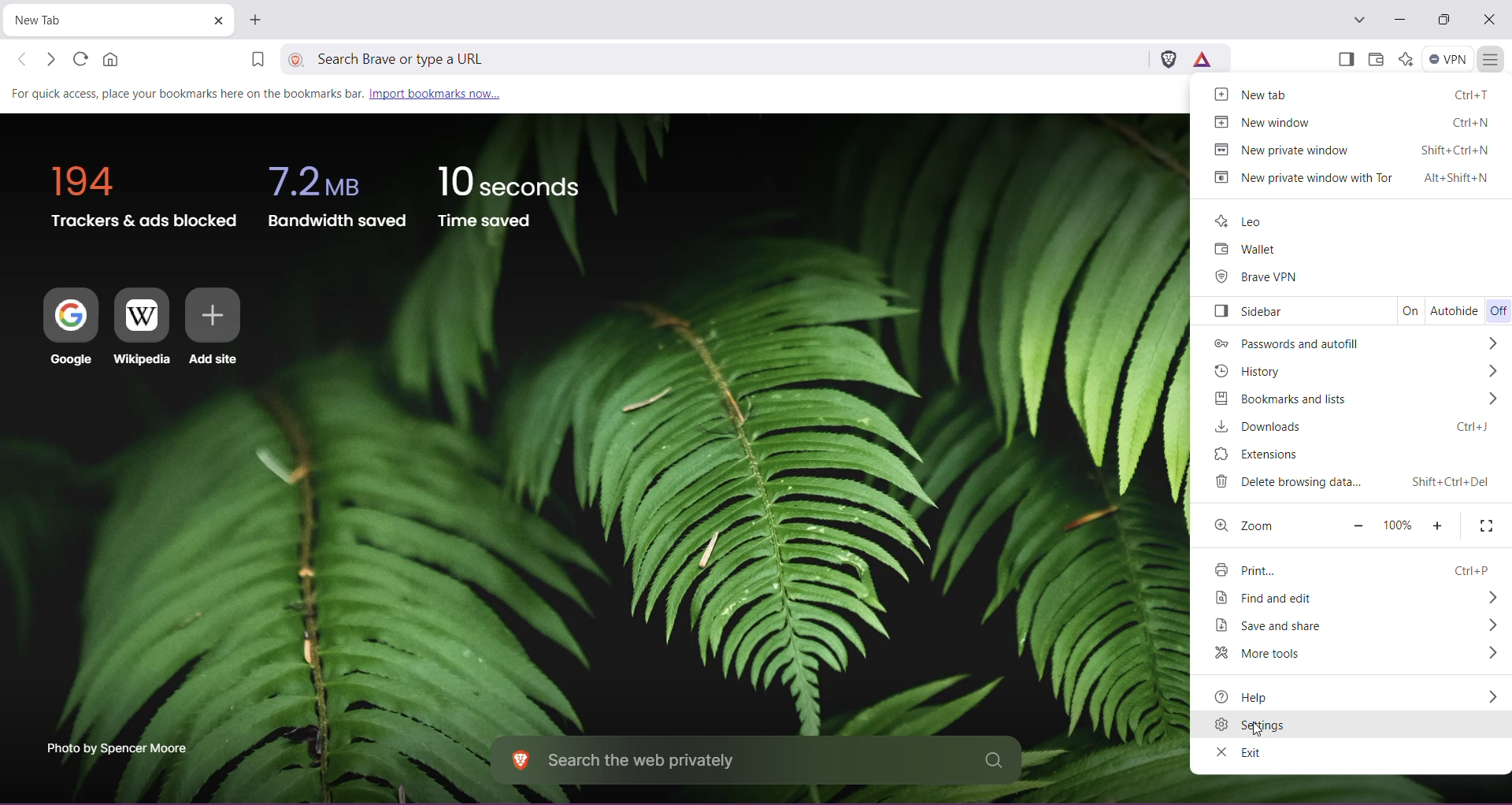  What do you see at coordinates (1252, 371) in the screenshot?
I see `History` at bounding box center [1252, 371].